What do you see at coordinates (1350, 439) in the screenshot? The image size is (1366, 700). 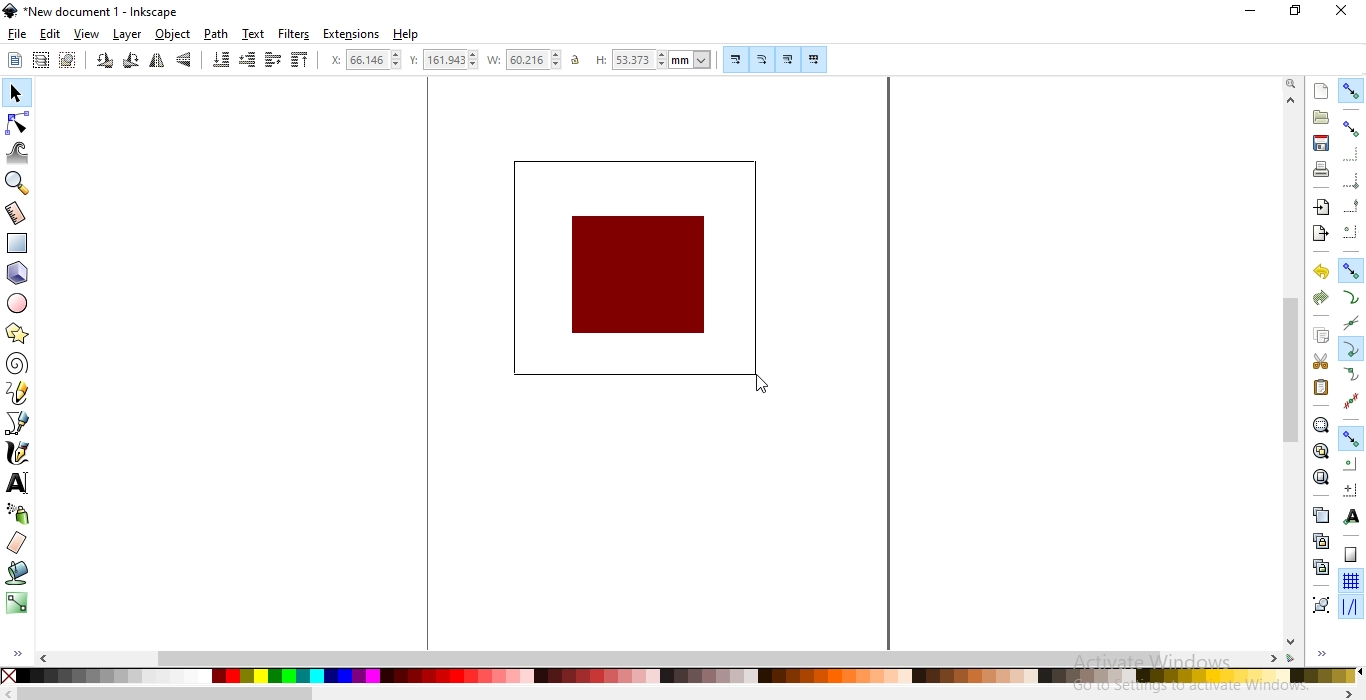 I see `snap nodes, paths and handles` at bounding box center [1350, 439].